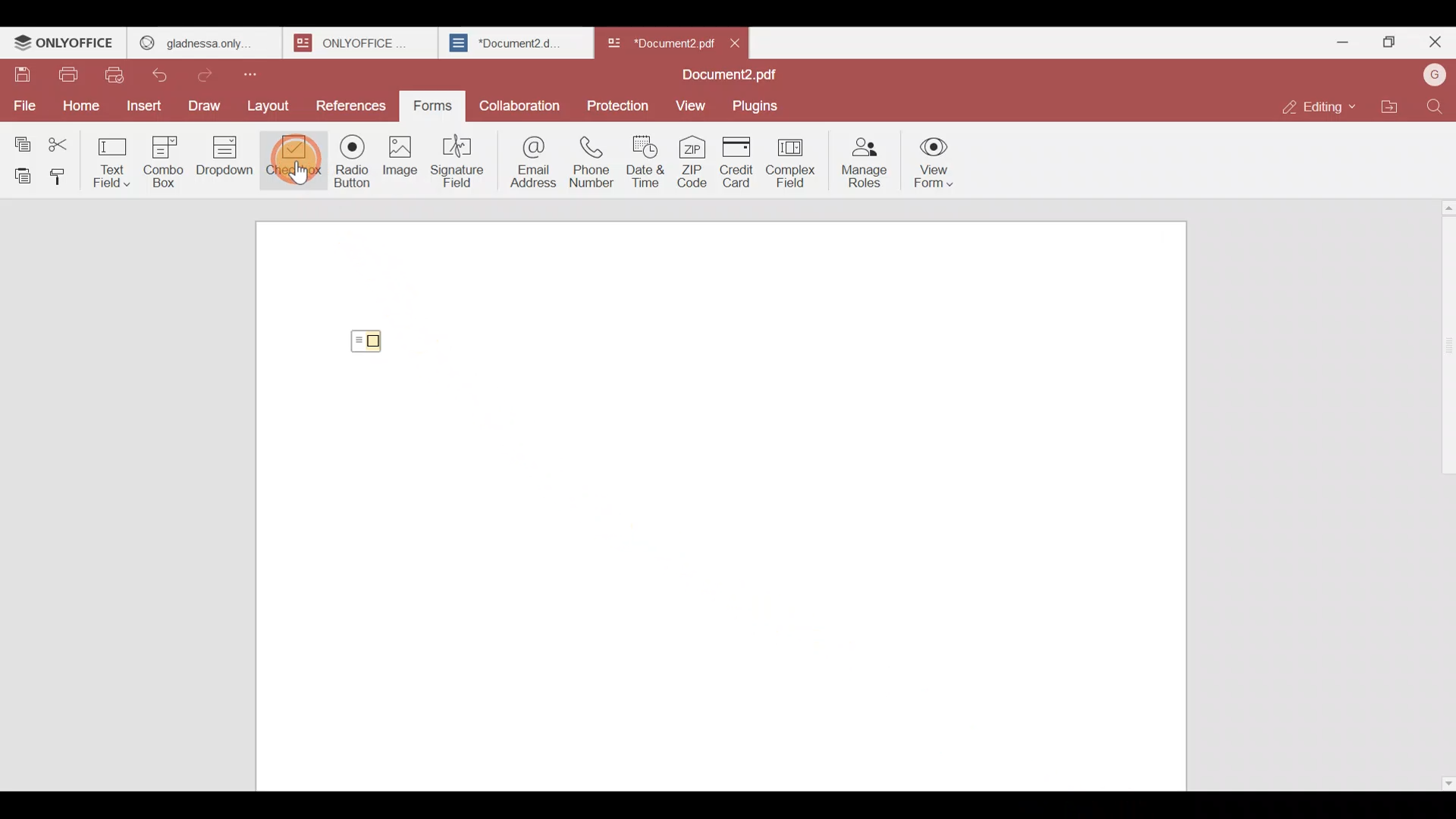 This screenshot has height=819, width=1456. What do you see at coordinates (263, 71) in the screenshot?
I see `Customize quick access toolbar` at bounding box center [263, 71].